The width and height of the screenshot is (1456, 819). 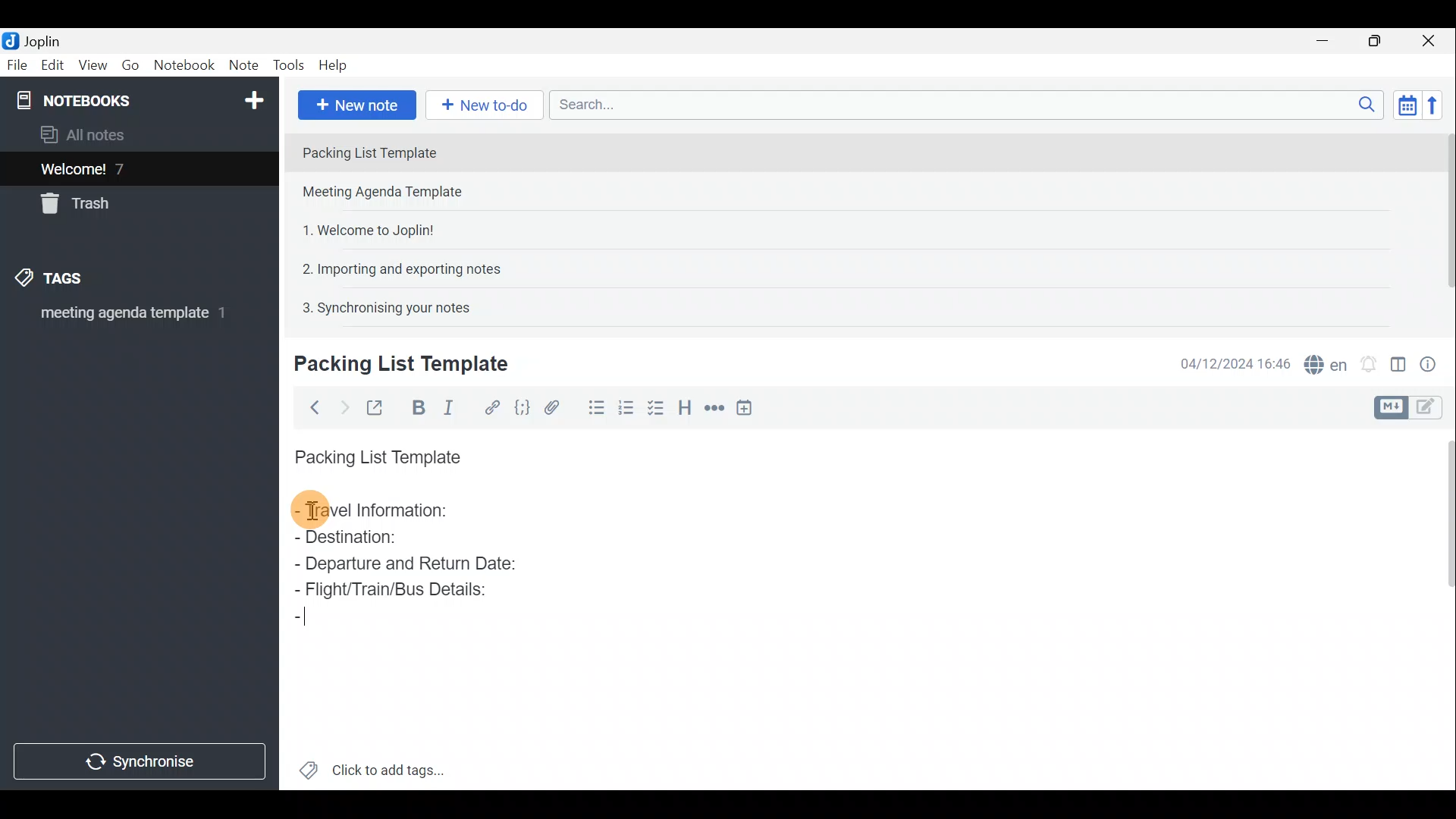 I want to click on Set alarm, so click(x=1368, y=360).